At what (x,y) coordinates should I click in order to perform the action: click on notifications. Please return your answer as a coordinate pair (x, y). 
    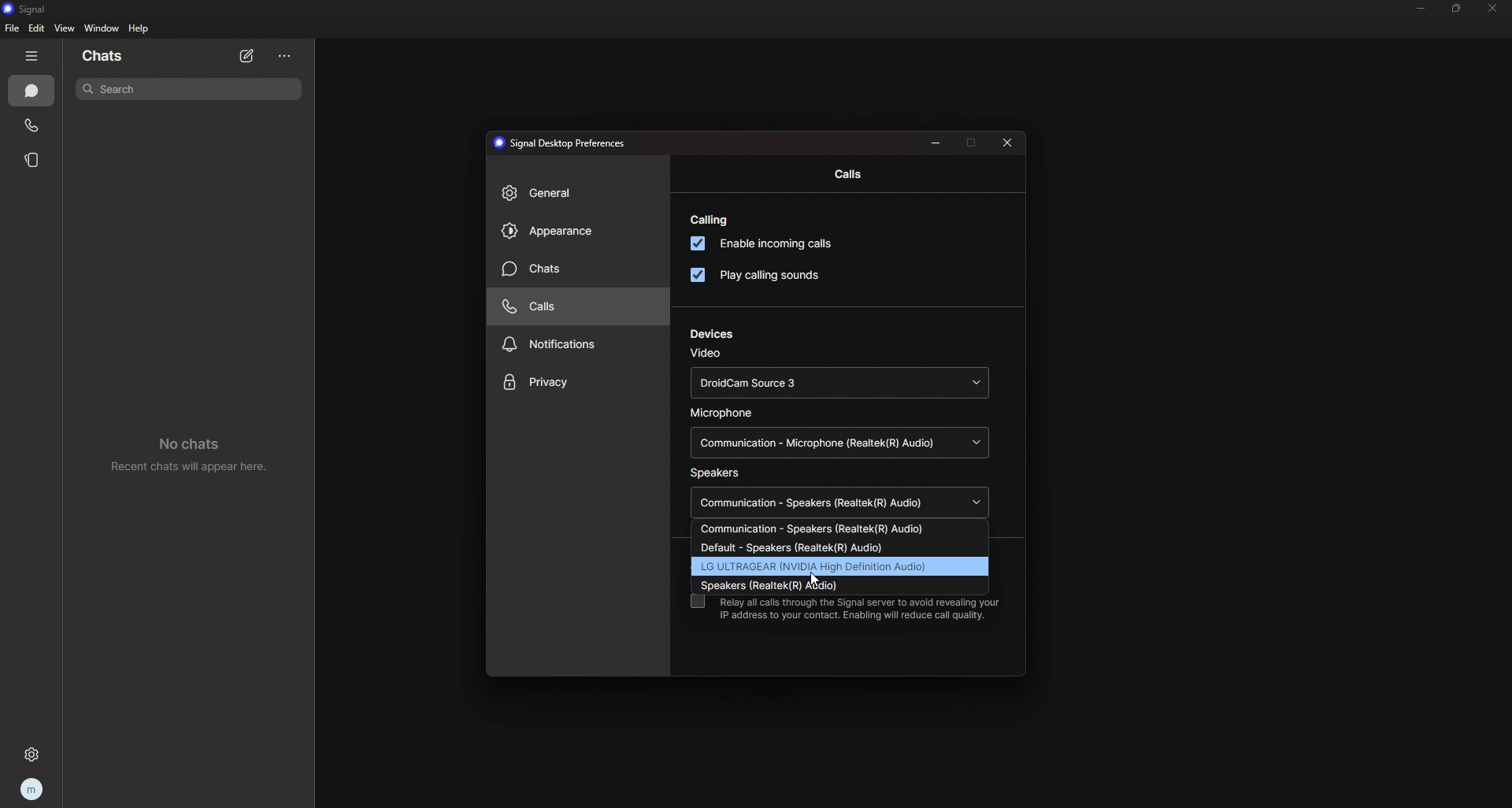
    Looking at the image, I should click on (577, 344).